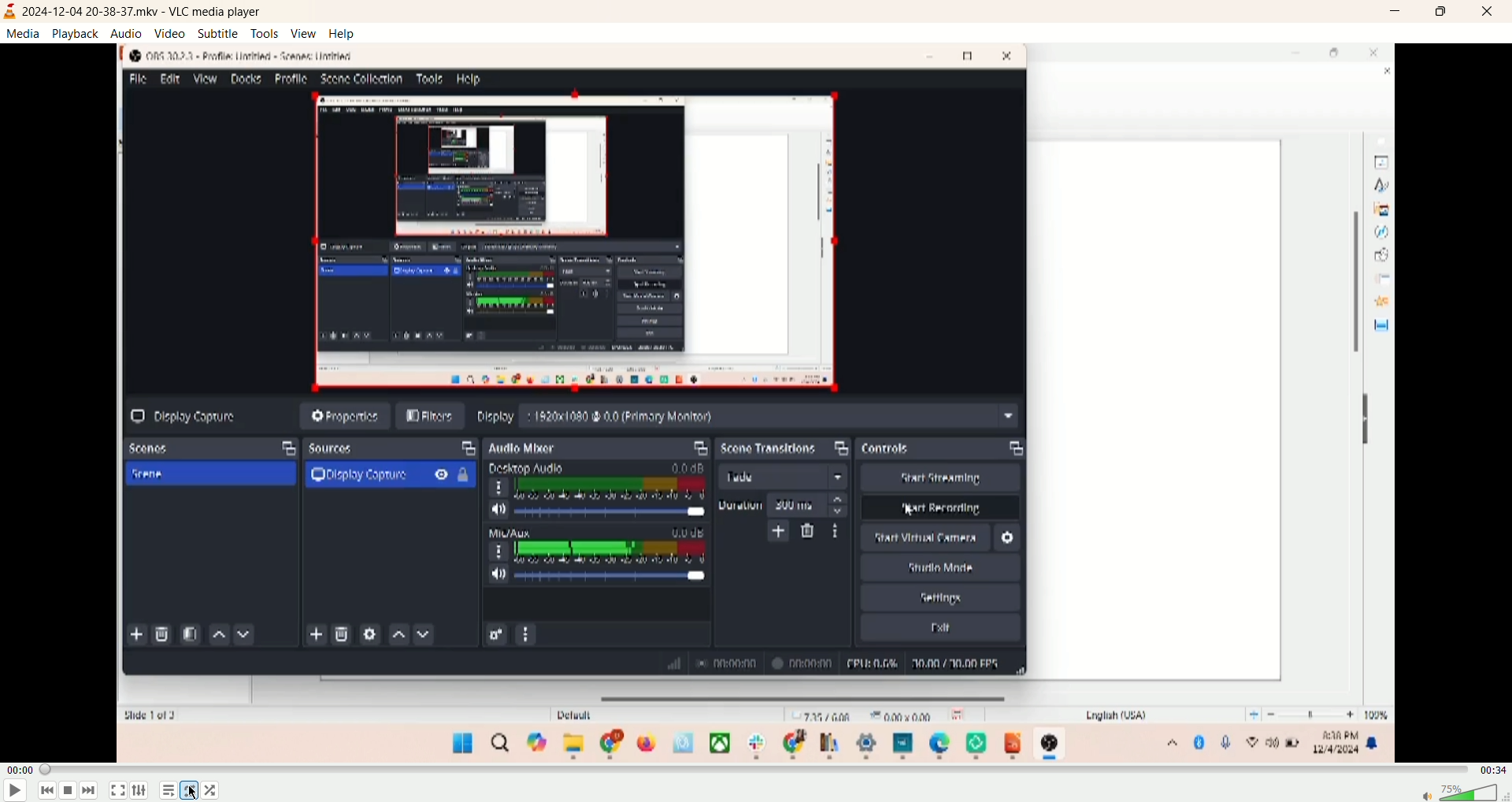  What do you see at coordinates (265, 33) in the screenshot?
I see `tools` at bounding box center [265, 33].